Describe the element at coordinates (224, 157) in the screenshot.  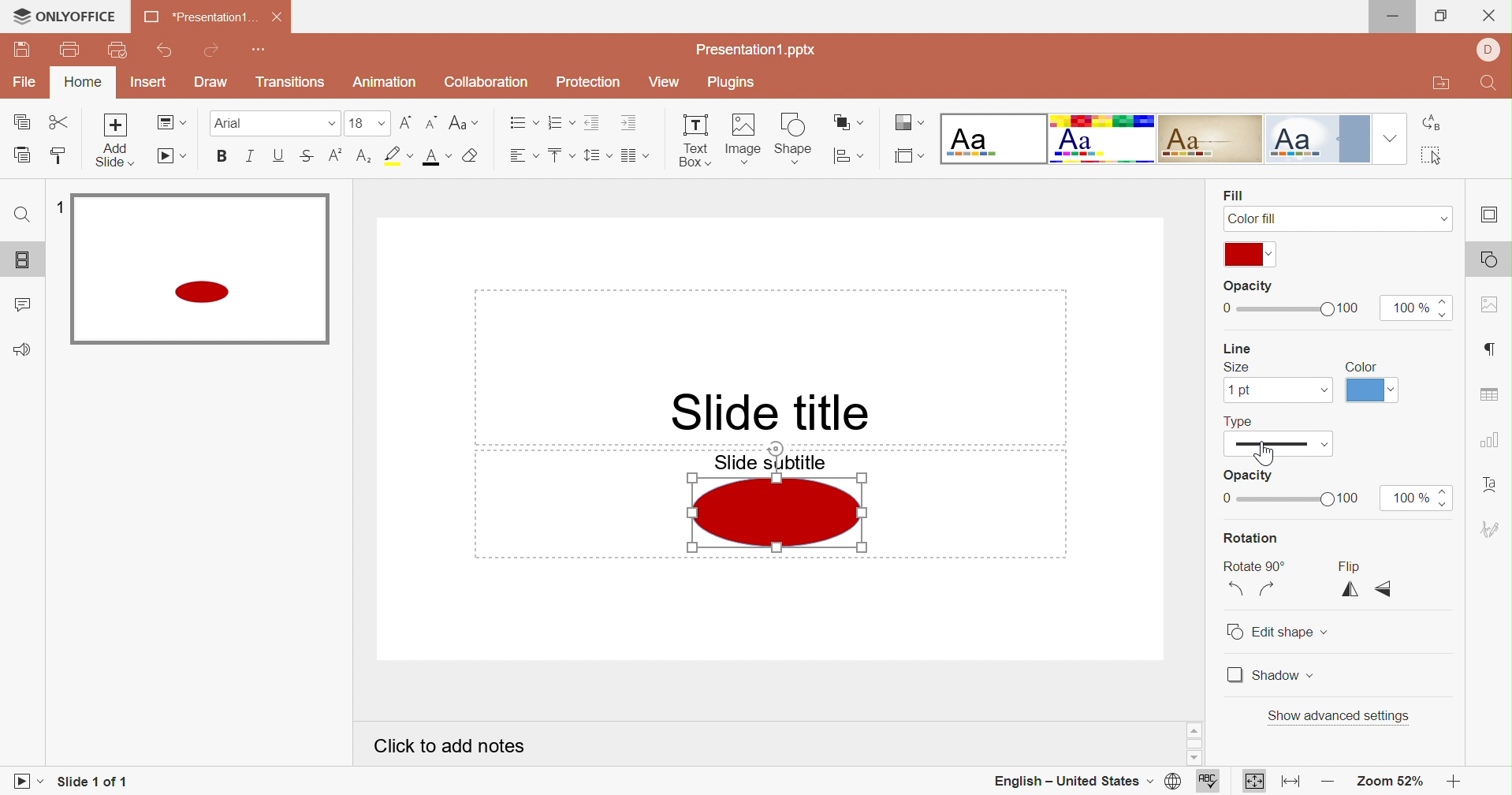
I see `Bold` at that location.